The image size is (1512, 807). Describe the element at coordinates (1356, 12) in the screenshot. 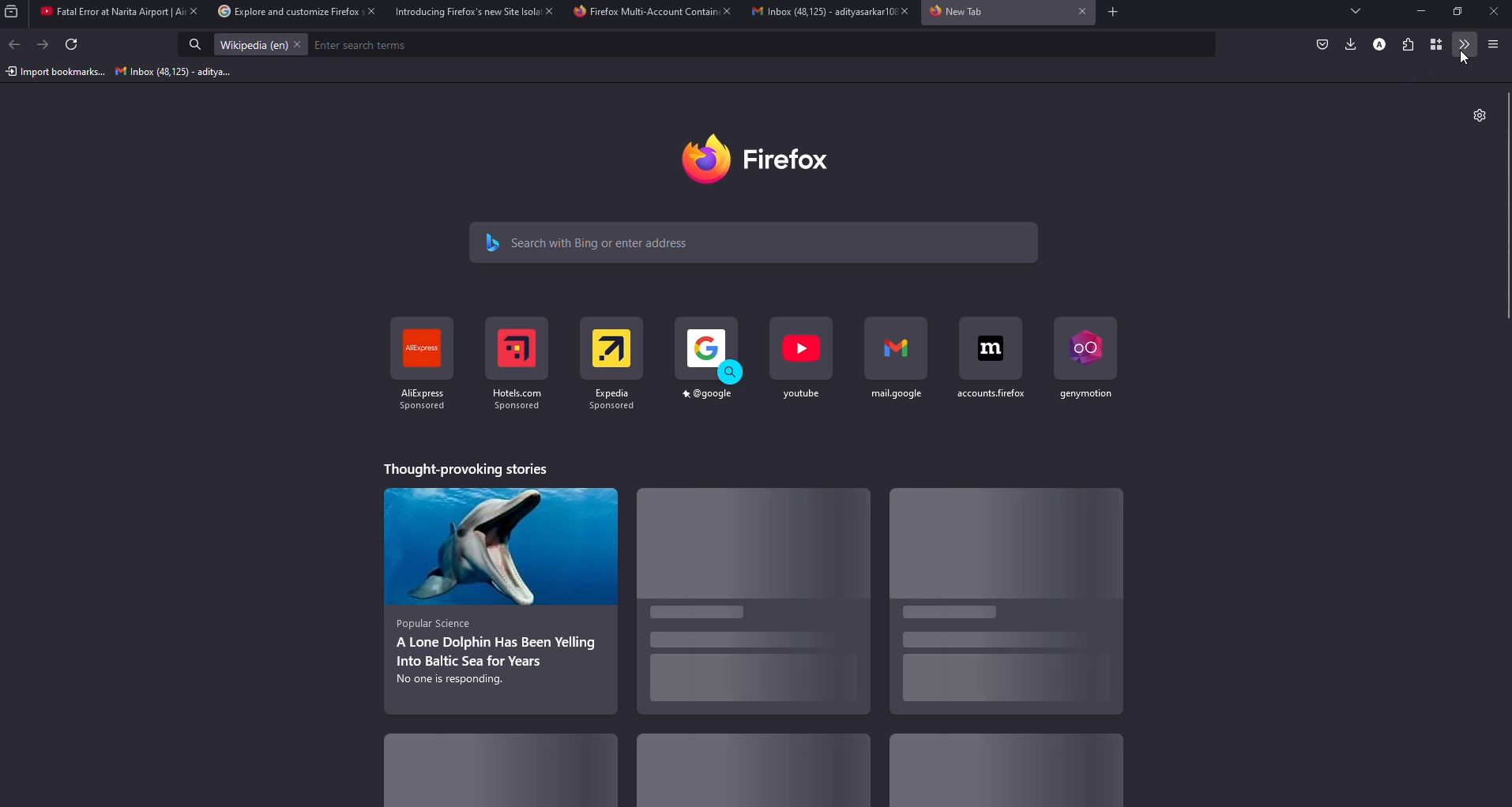

I see `tabs` at that location.